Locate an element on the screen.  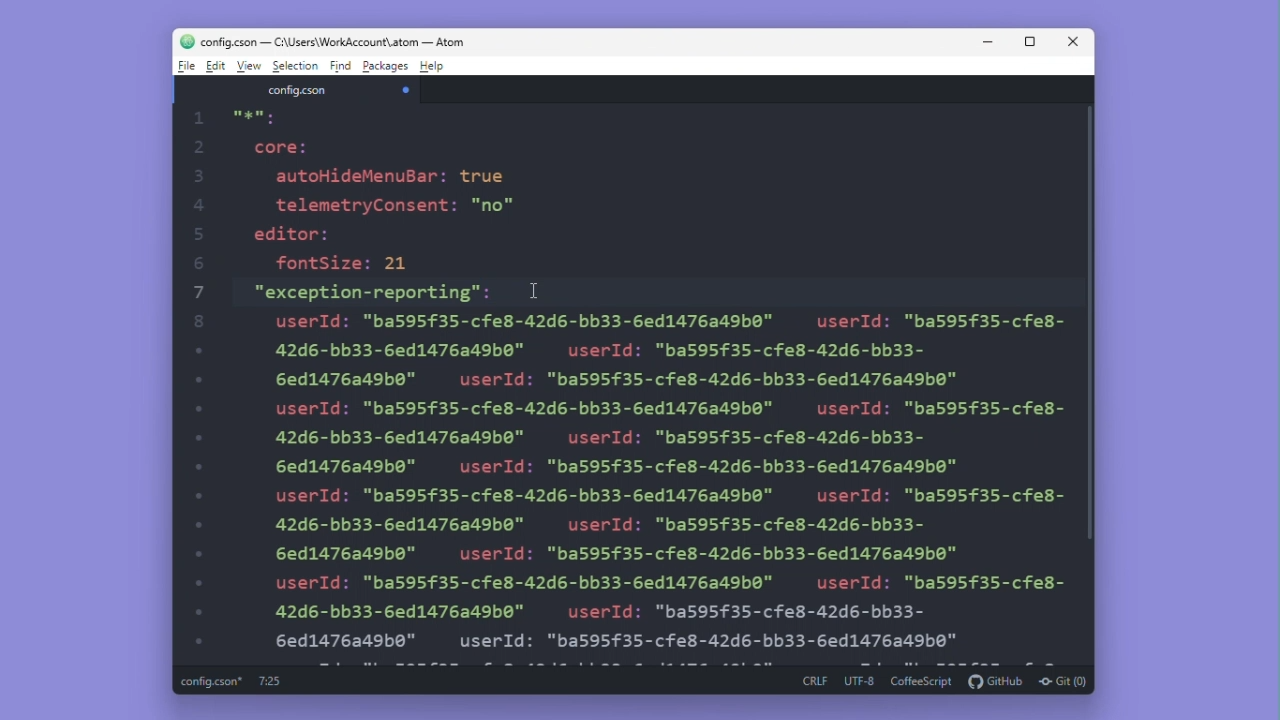
autoHidemenuBar: true is located at coordinates (393, 176).